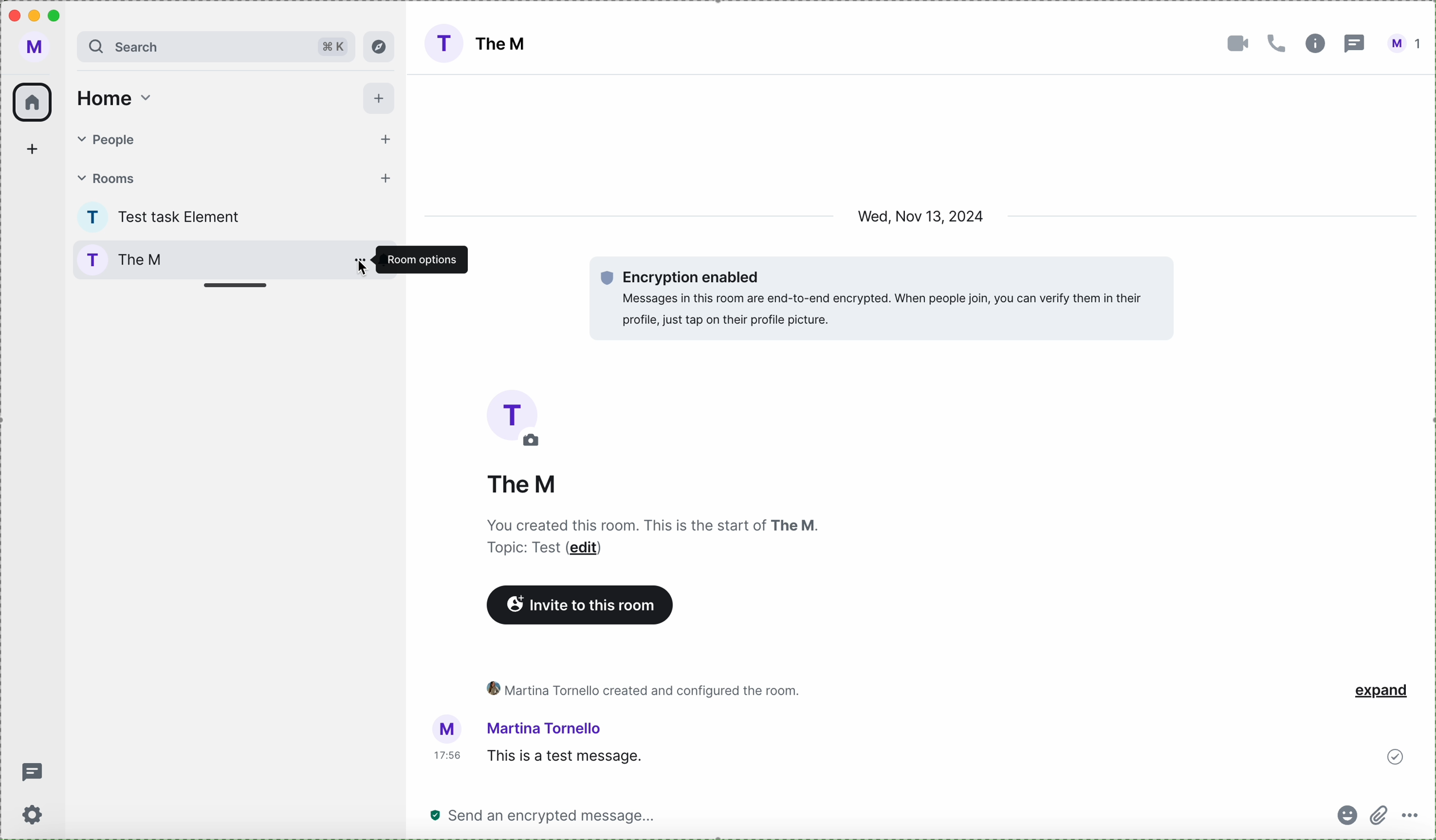 This screenshot has height=840, width=1436. I want to click on test task Element, so click(186, 219).